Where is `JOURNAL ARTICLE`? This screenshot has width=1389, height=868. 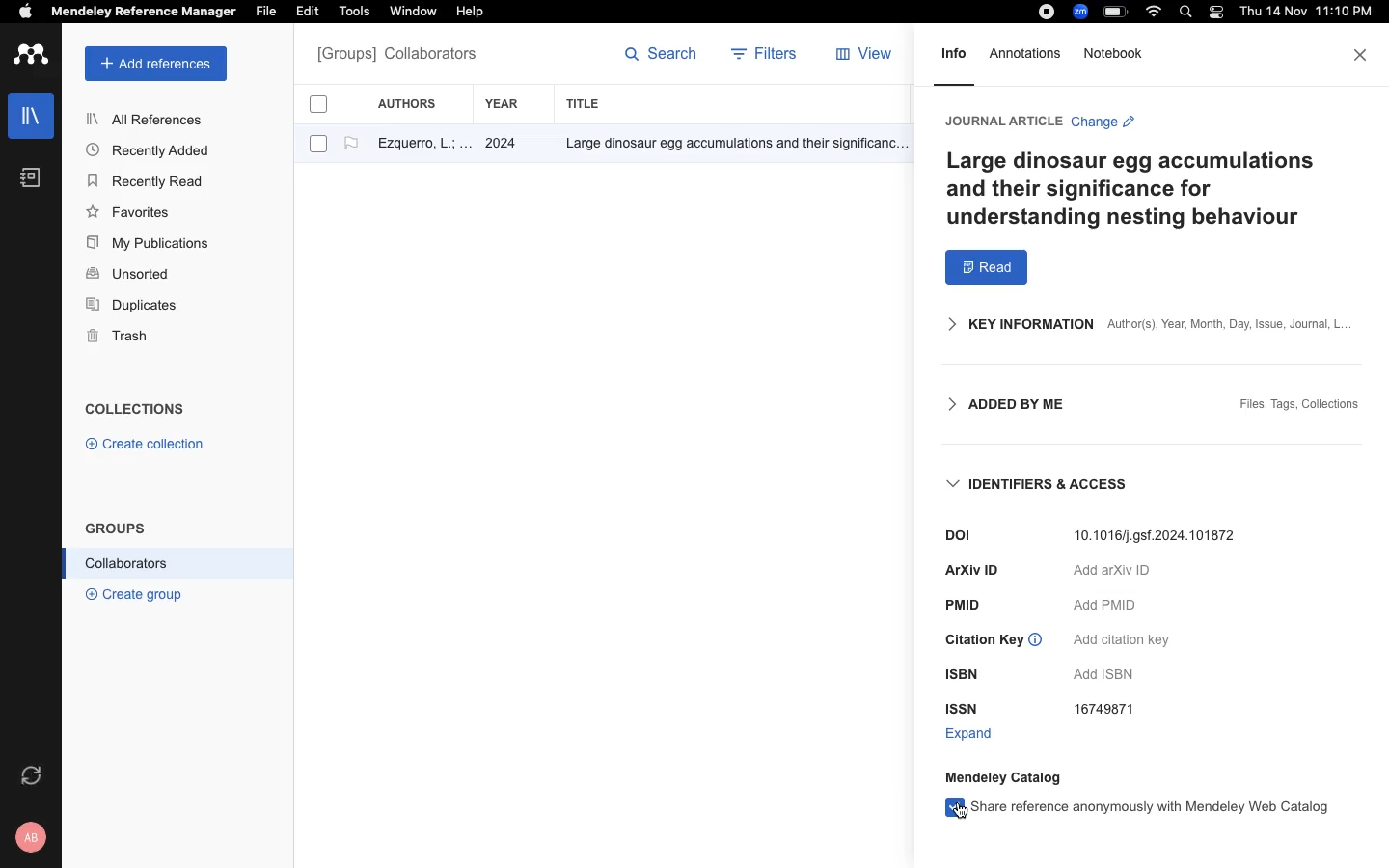 JOURNAL ARTICLE is located at coordinates (1001, 121).